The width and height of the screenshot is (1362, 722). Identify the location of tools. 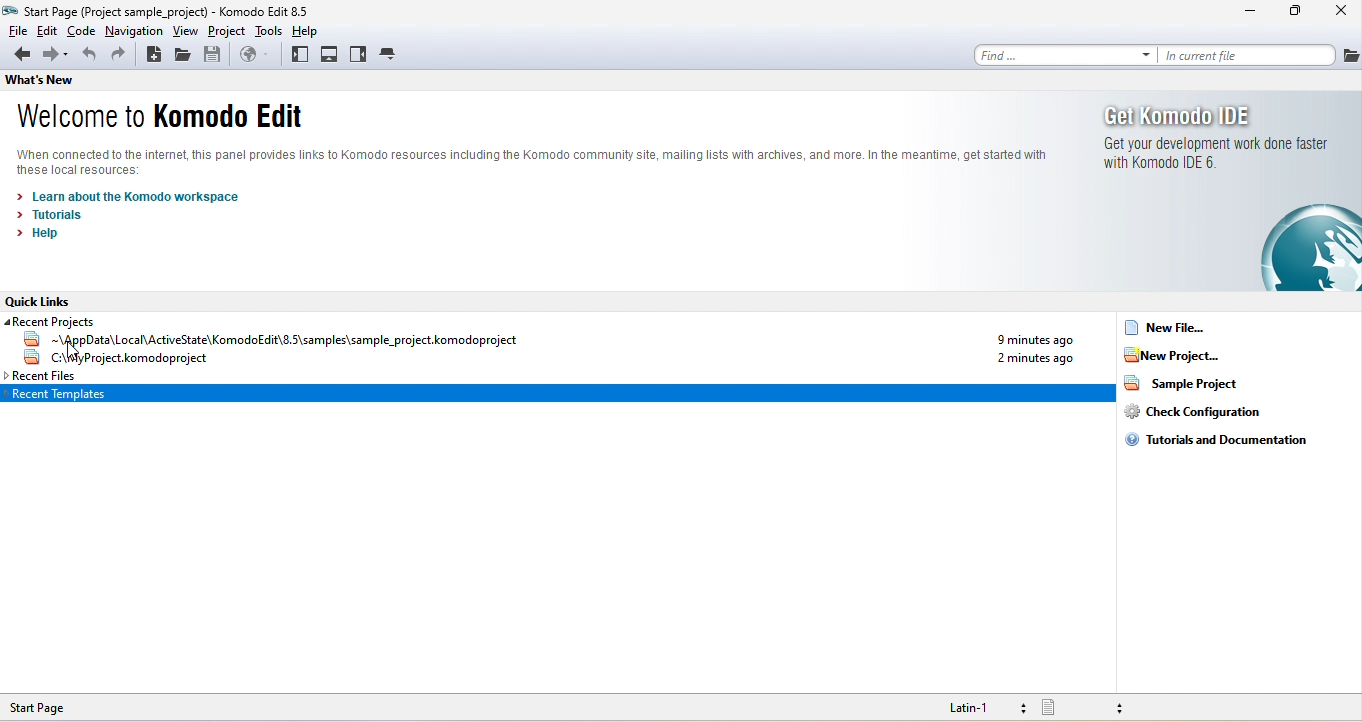
(263, 32).